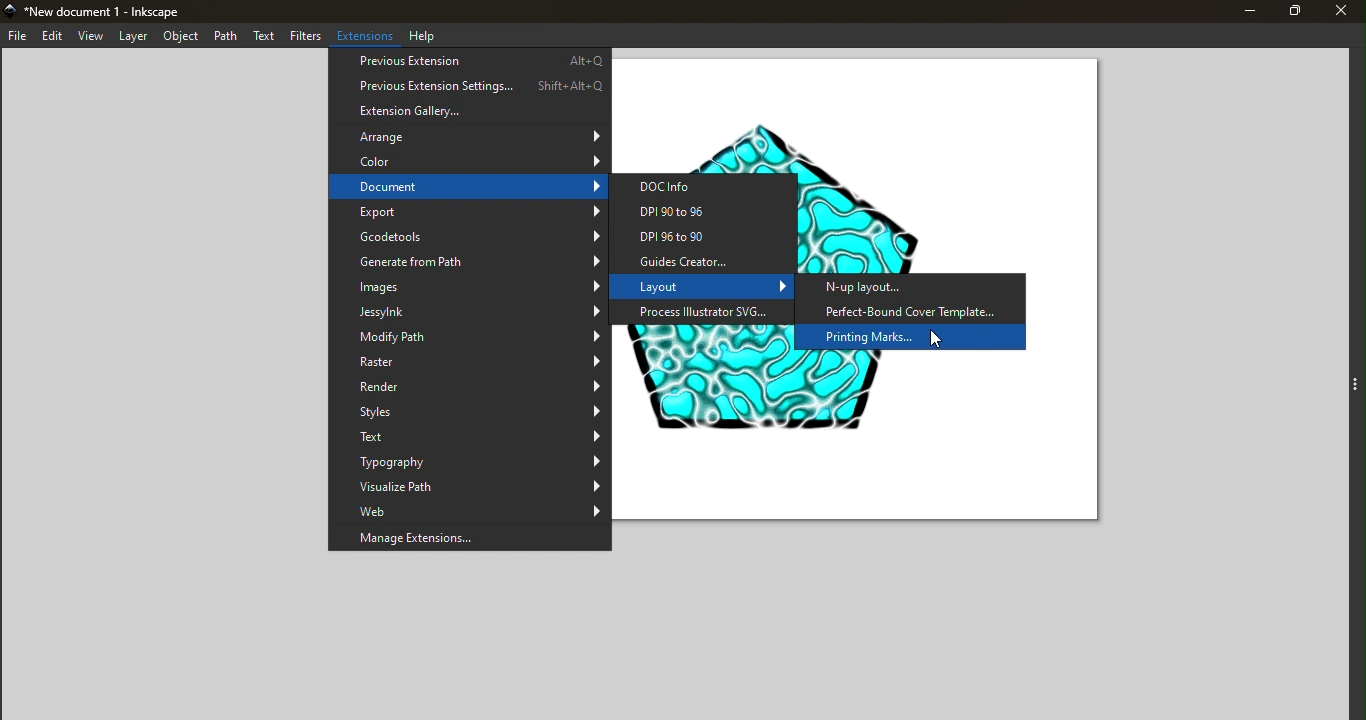  What do you see at coordinates (468, 137) in the screenshot?
I see `Arrange` at bounding box center [468, 137].